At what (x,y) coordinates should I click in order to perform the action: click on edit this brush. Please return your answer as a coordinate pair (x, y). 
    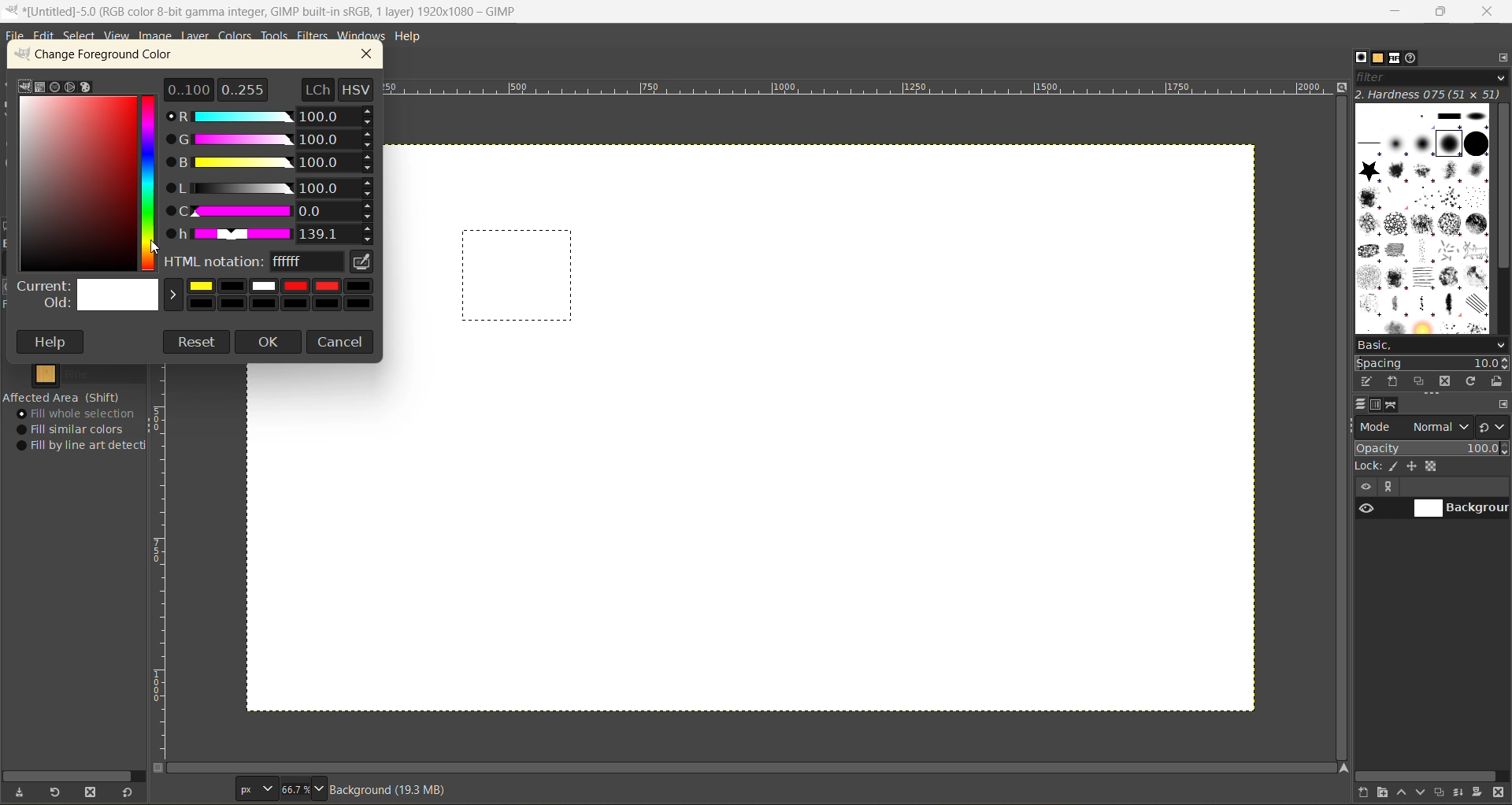
    Looking at the image, I should click on (1369, 383).